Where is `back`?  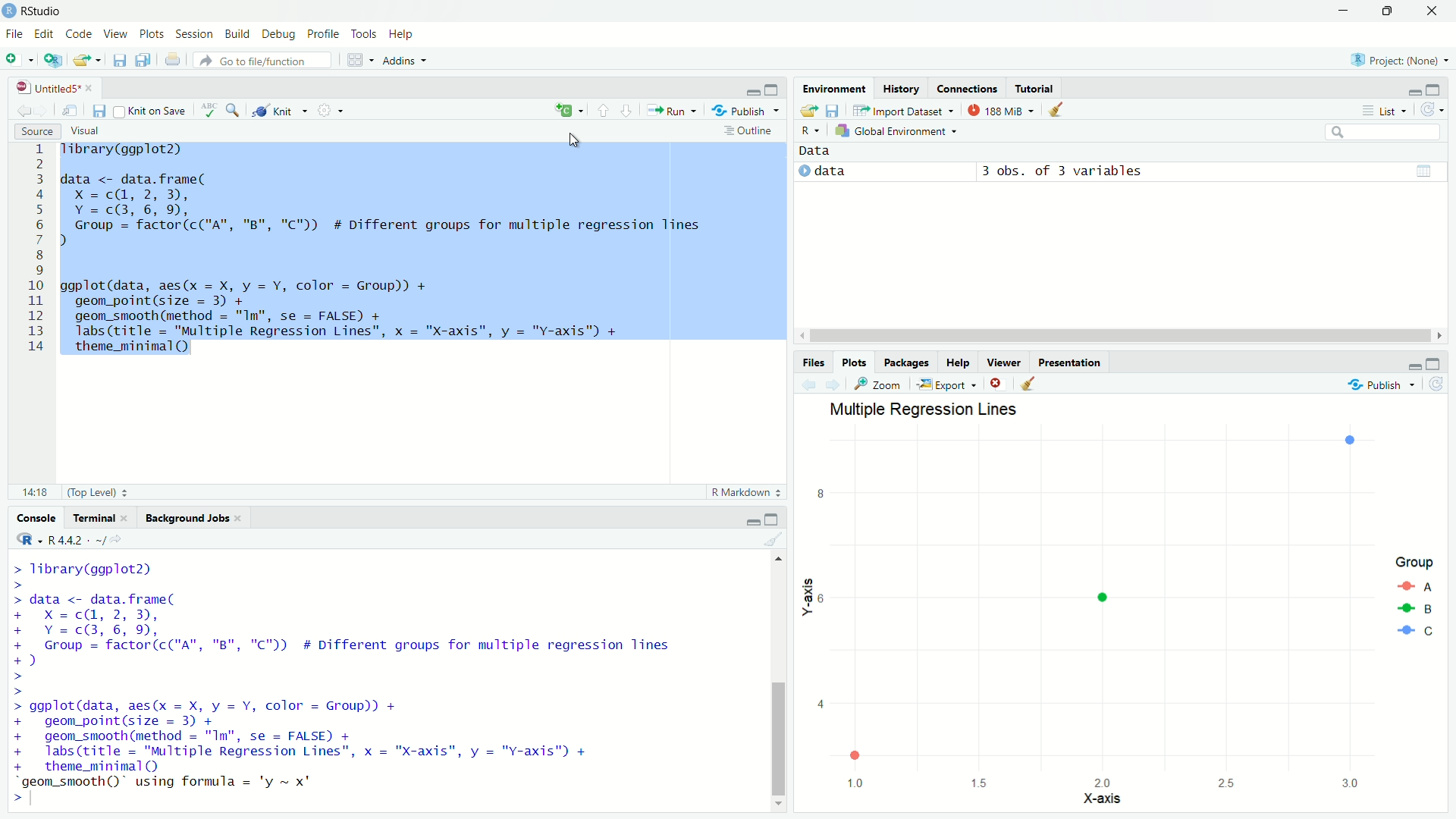
back is located at coordinates (20, 111).